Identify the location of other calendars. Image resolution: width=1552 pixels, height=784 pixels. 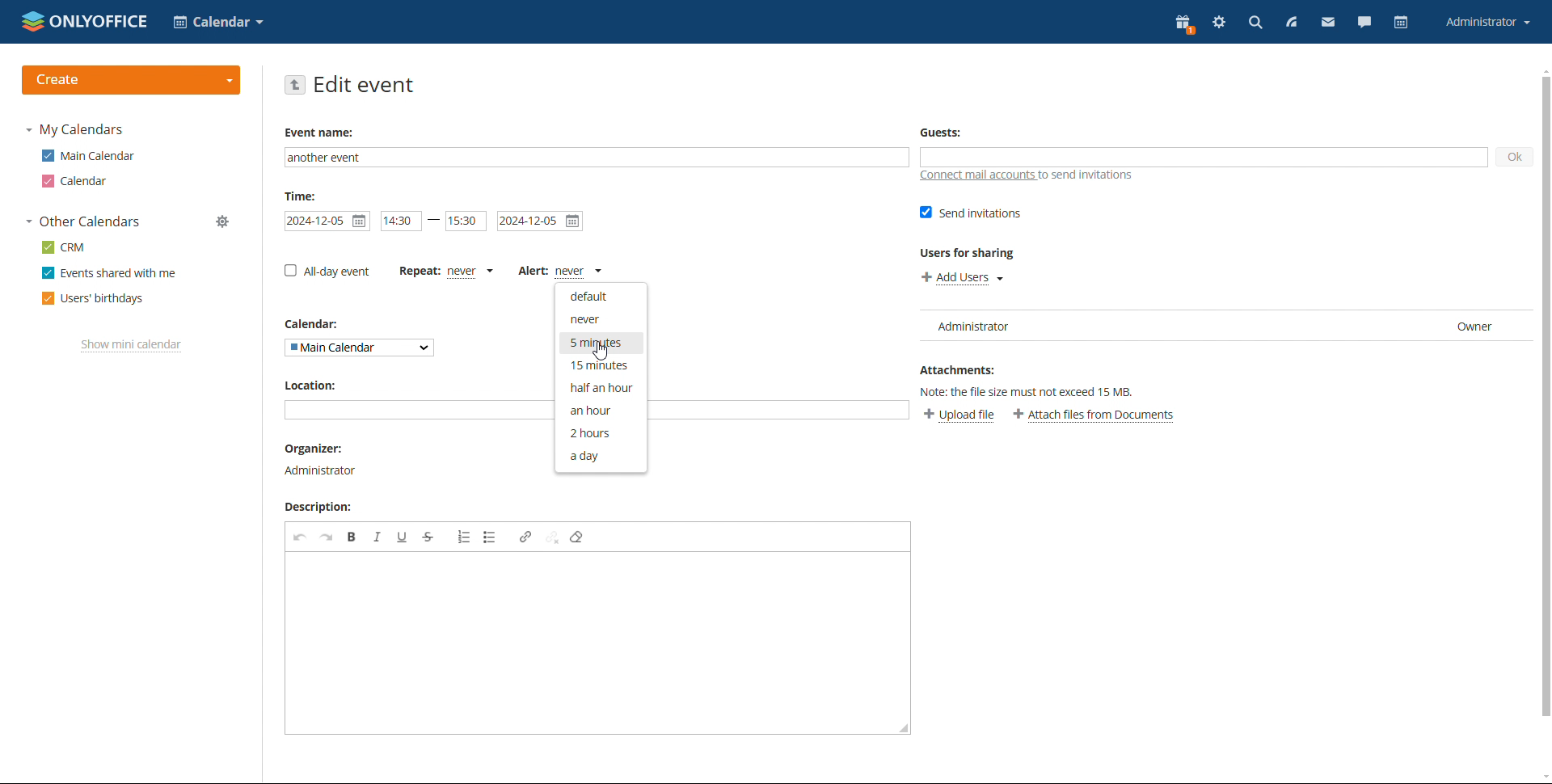
(82, 222).